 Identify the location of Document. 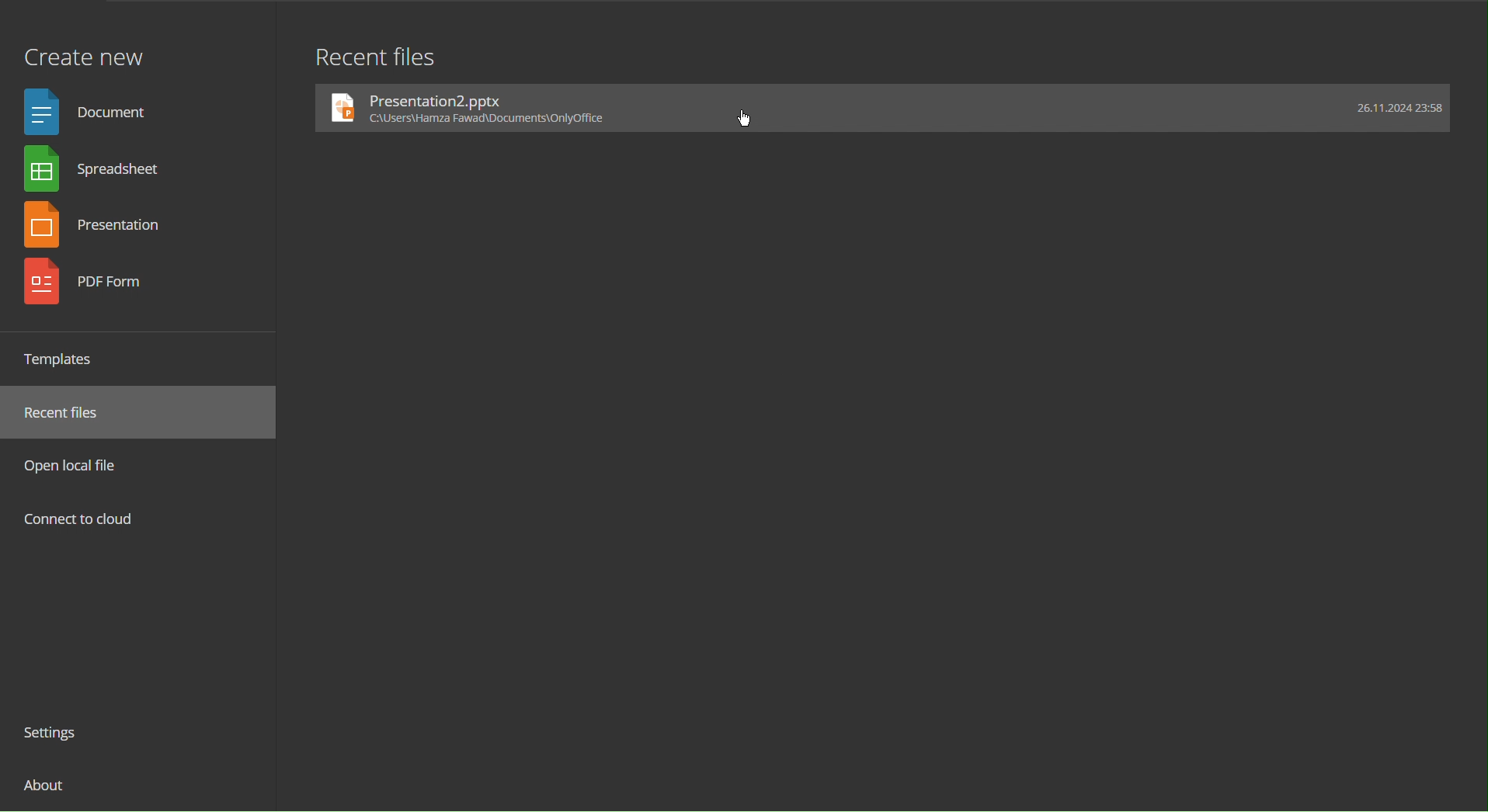
(92, 110).